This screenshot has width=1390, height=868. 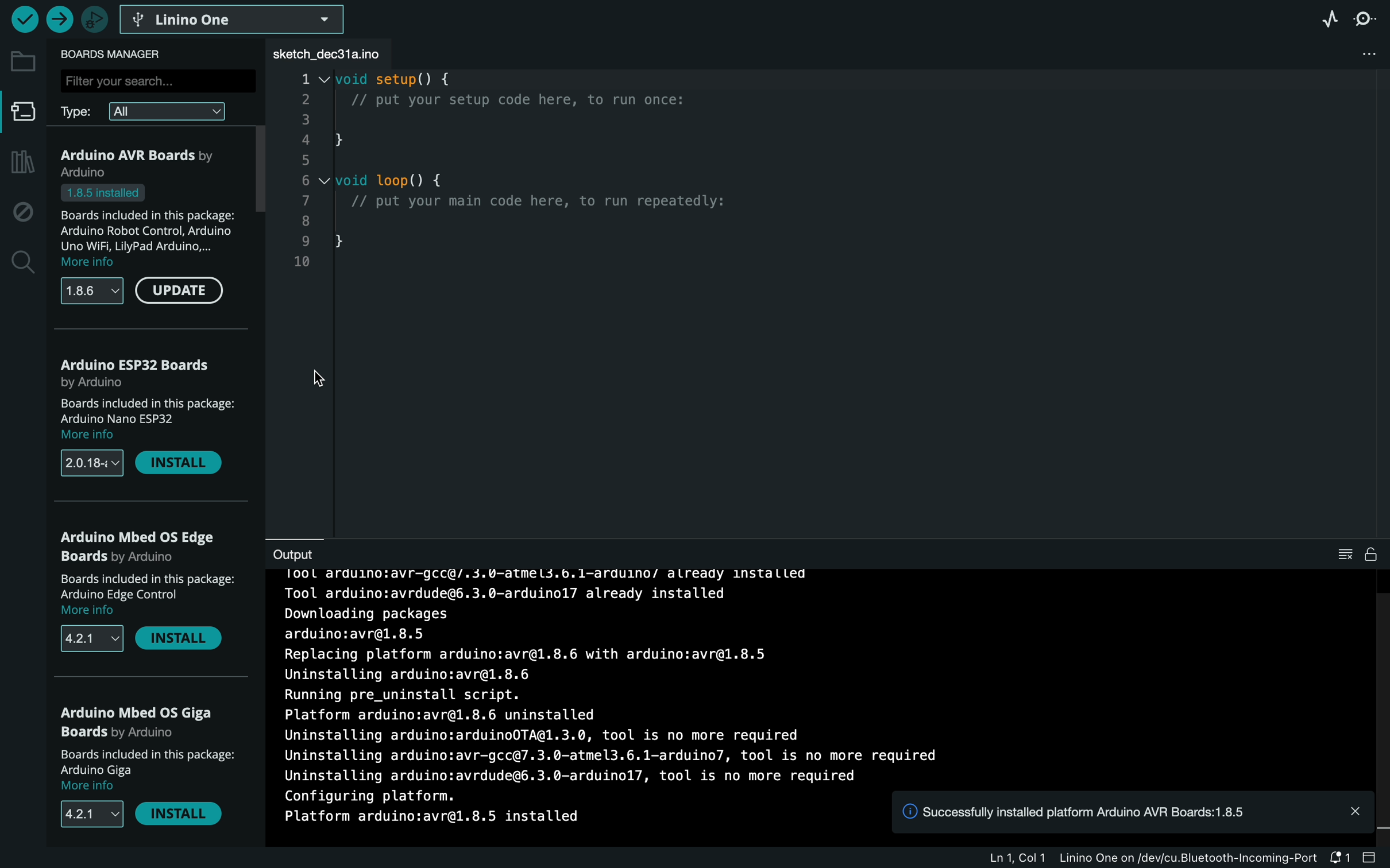 I want to click on notification, so click(x=1373, y=855).